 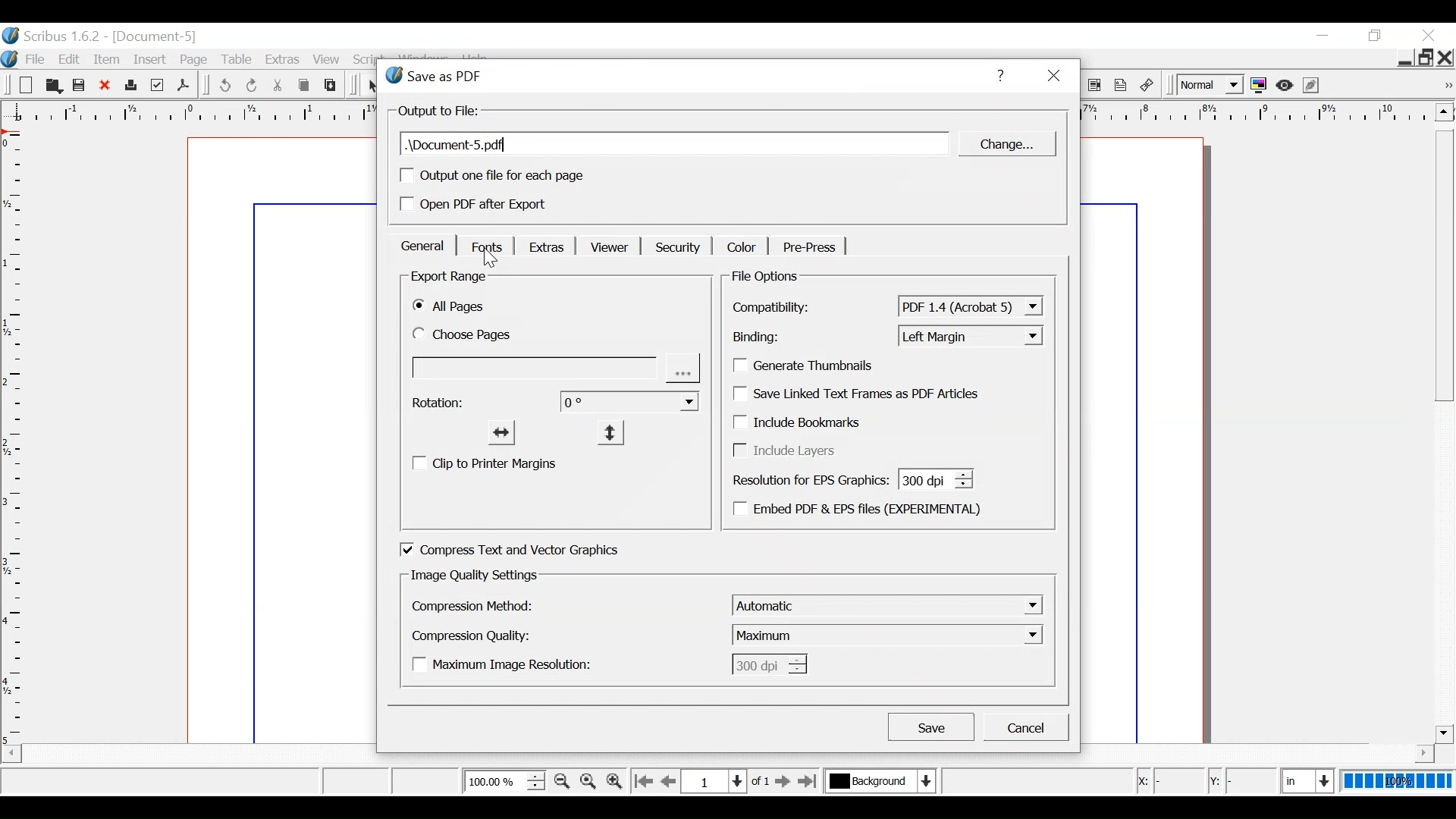 What do you see at coordinates (530, 550) in the screenshot?
I see `(un)check Compress text and vector grapics` at bounding box center [530, 550].